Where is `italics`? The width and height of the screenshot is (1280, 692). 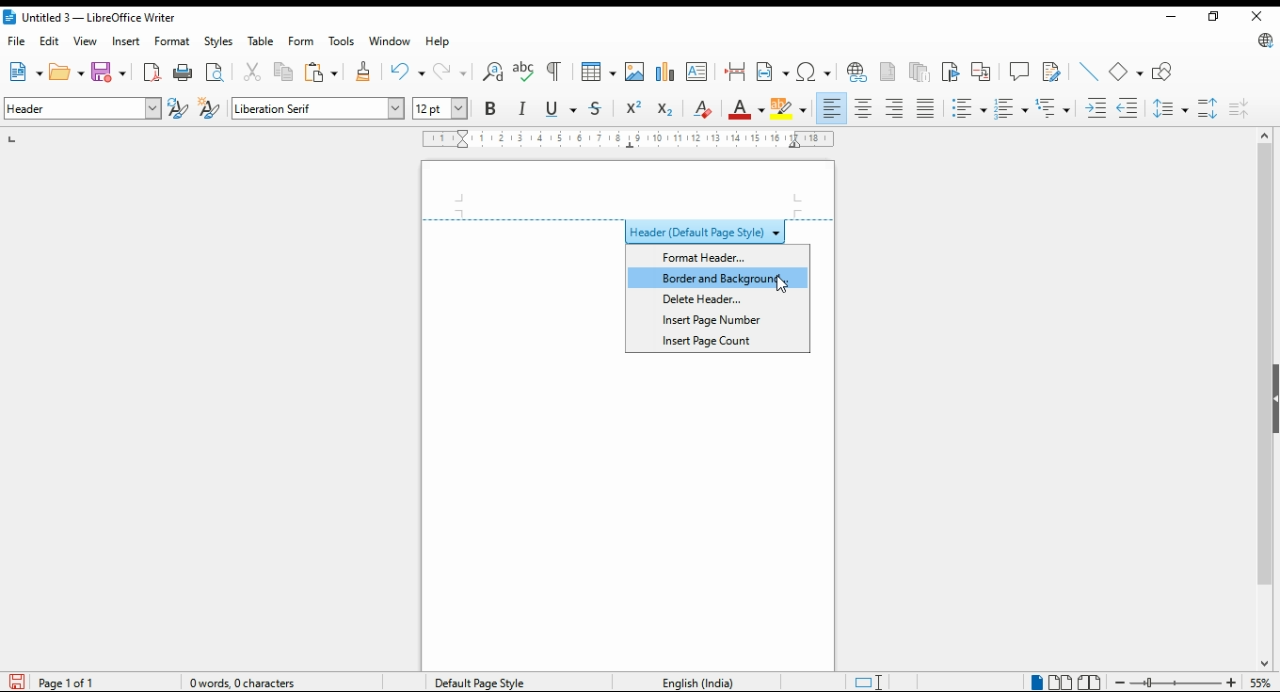
italics is located at coordinates (523, 108).